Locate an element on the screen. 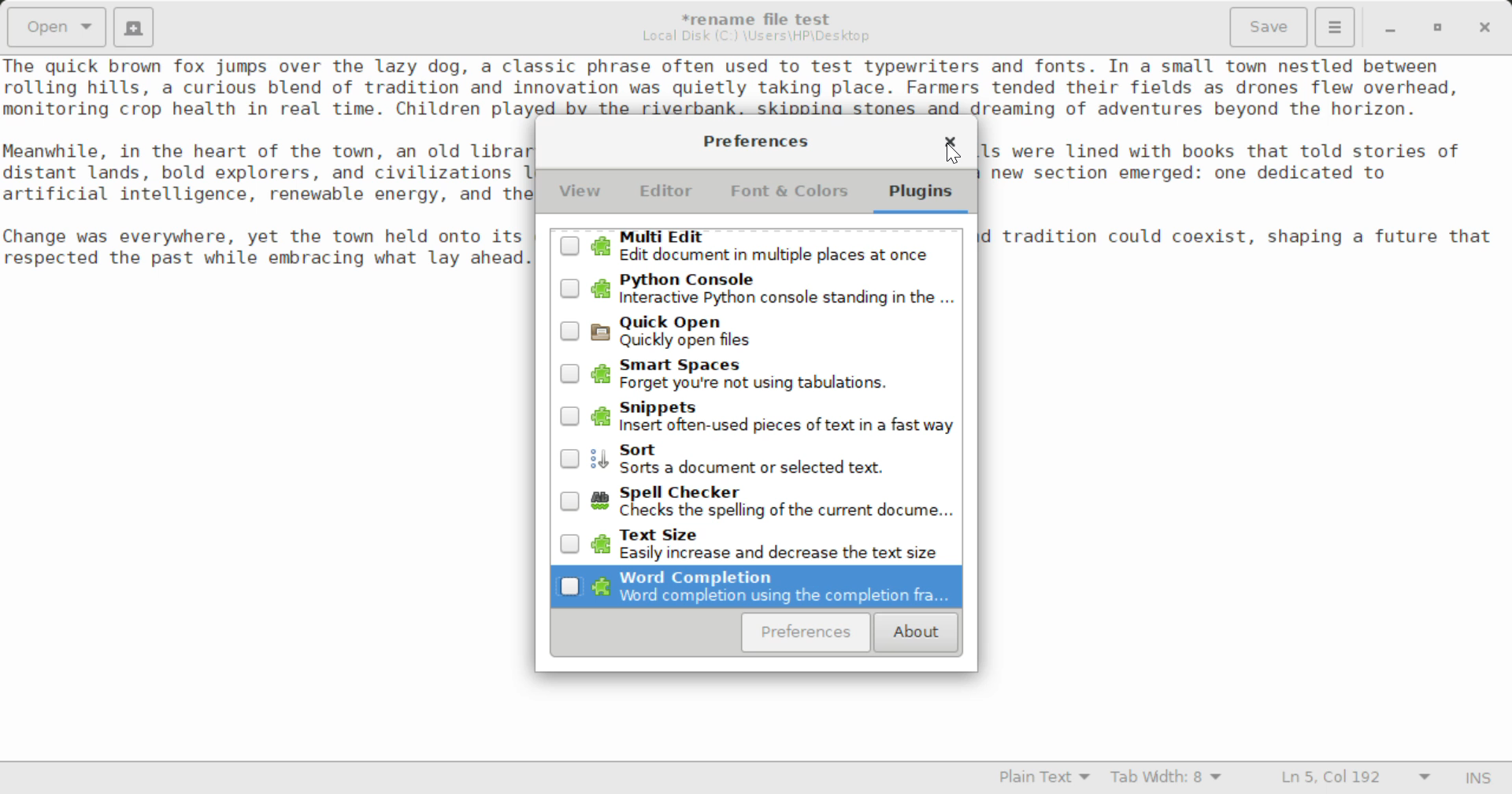  Cursor on Close Window Button is located at coordinates (954, 147).